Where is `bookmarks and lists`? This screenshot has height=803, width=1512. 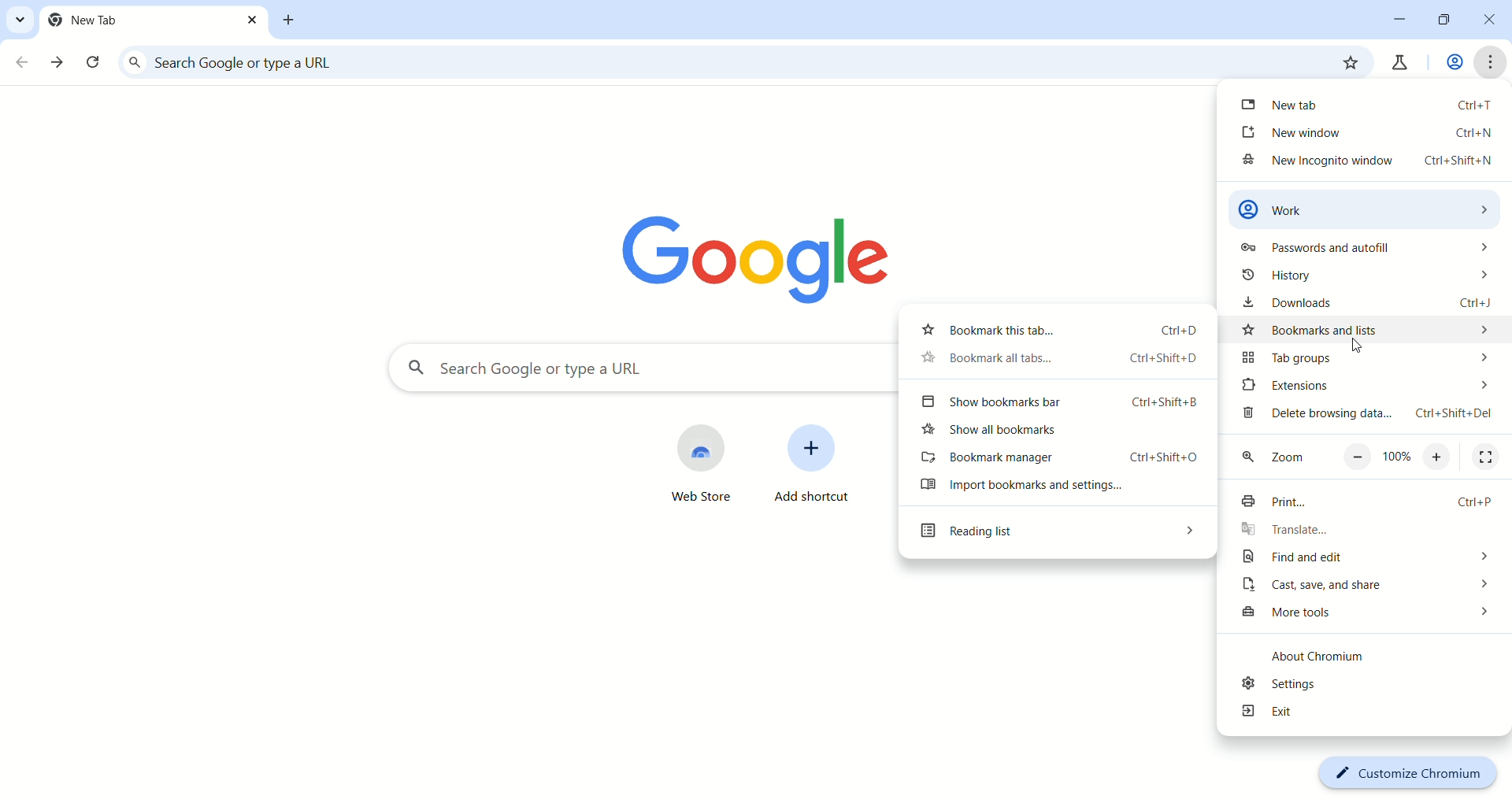
bookmarks and lists is located at coordinates (1369, 330).